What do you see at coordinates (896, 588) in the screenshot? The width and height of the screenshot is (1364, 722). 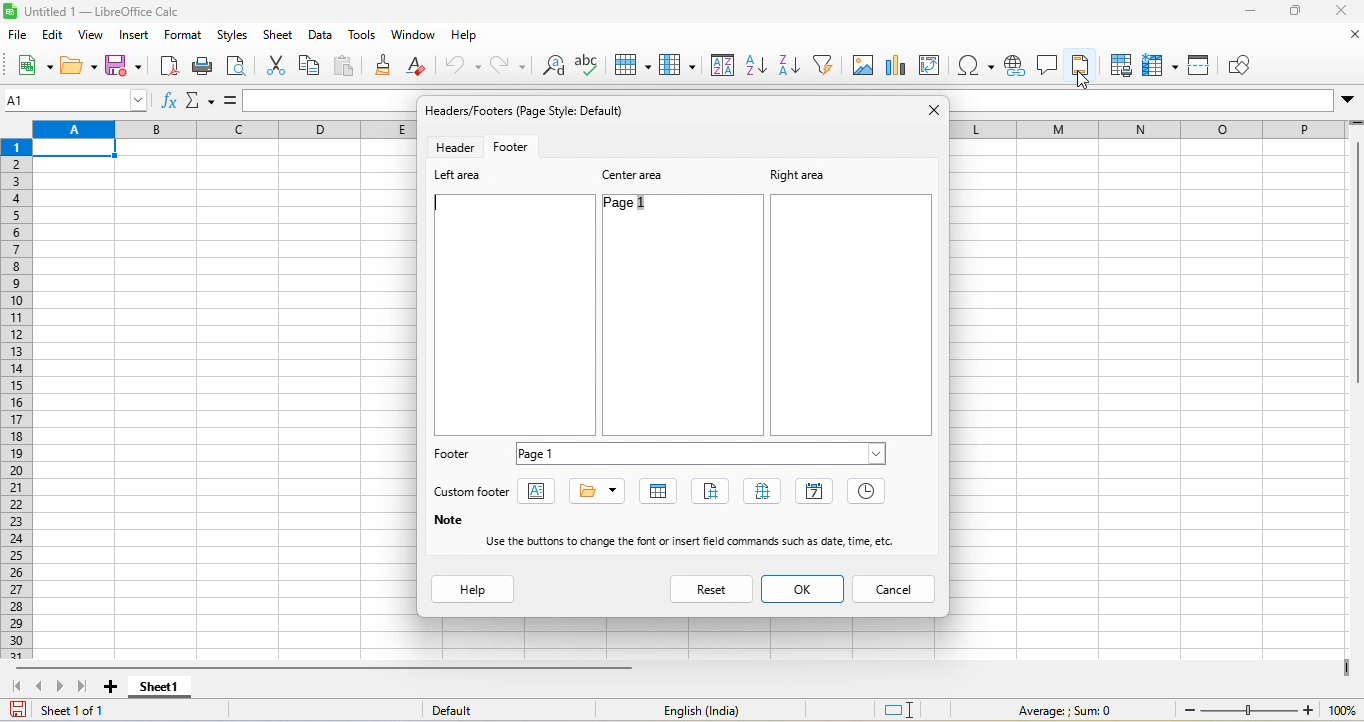 I see `cancel` at bounding box center [896, 588].